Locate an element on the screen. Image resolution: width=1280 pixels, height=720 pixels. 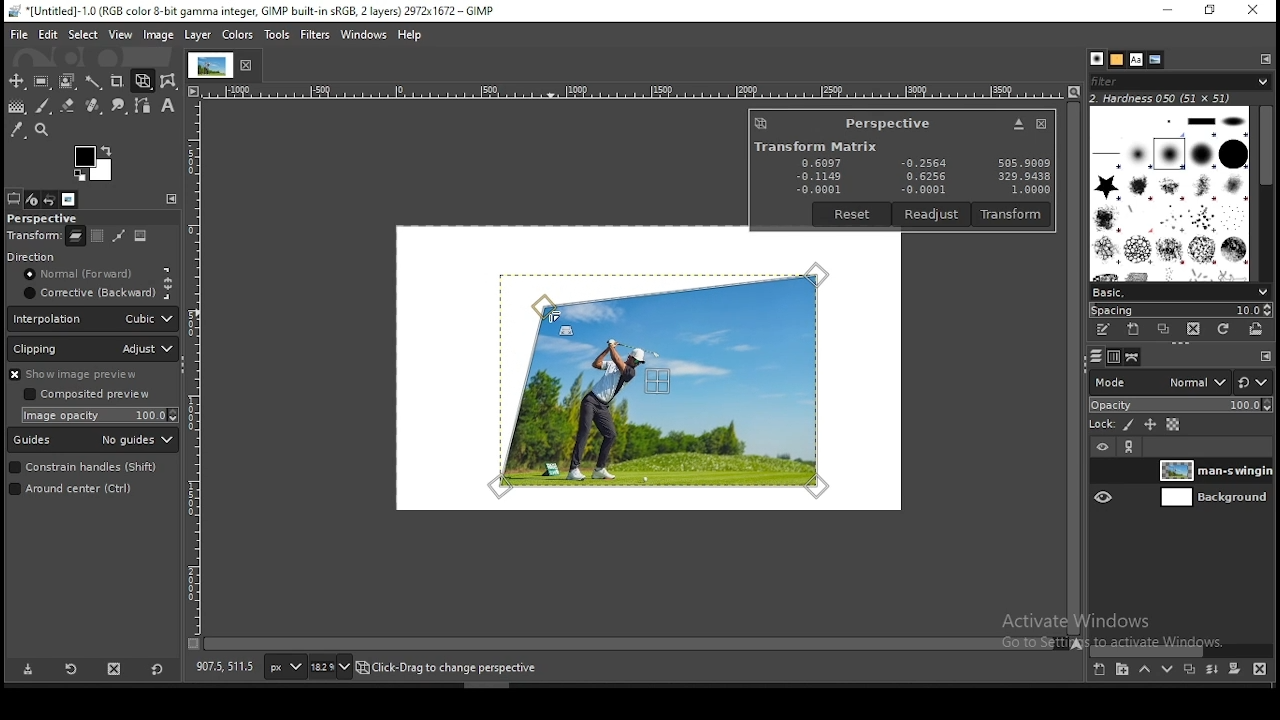
layer is located at coordinates (74, 239).